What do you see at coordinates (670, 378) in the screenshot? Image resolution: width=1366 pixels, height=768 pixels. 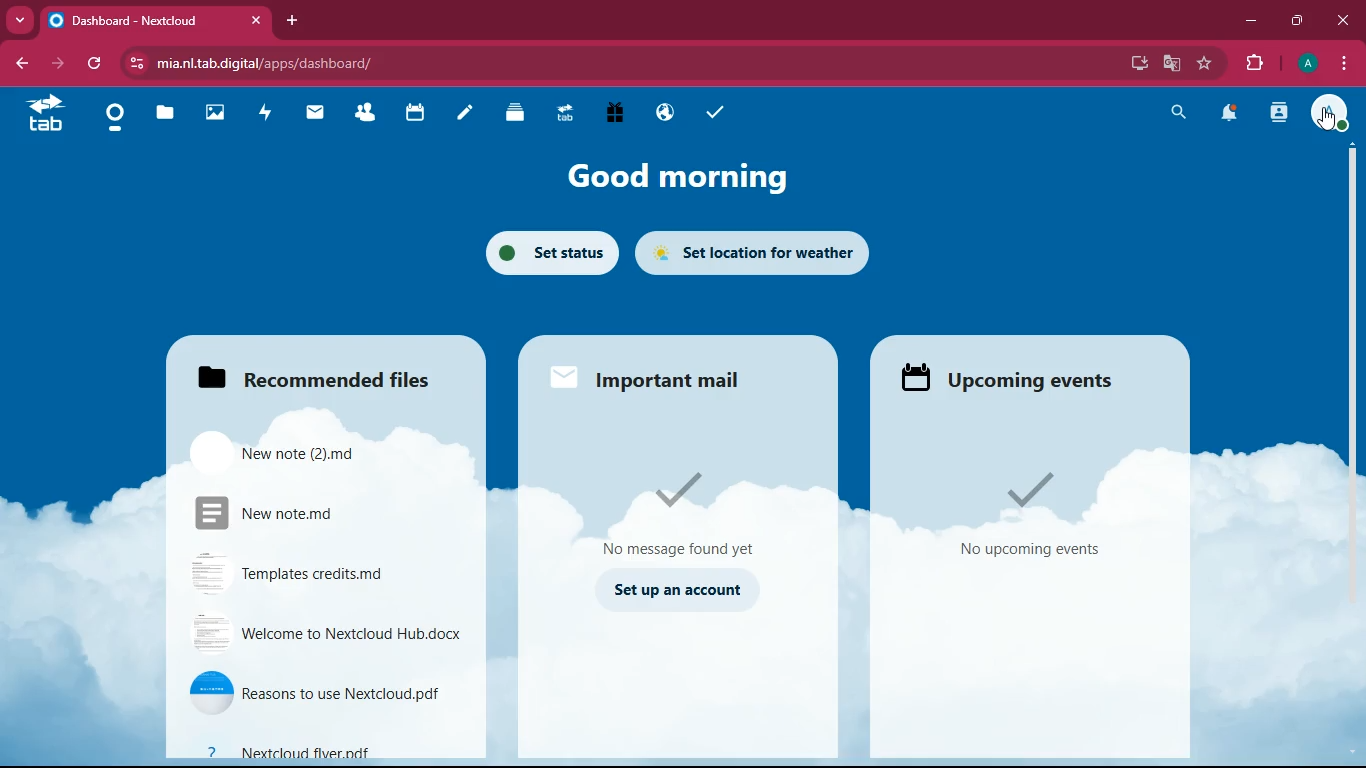 I see `mail` at bounding box center [670, 378].